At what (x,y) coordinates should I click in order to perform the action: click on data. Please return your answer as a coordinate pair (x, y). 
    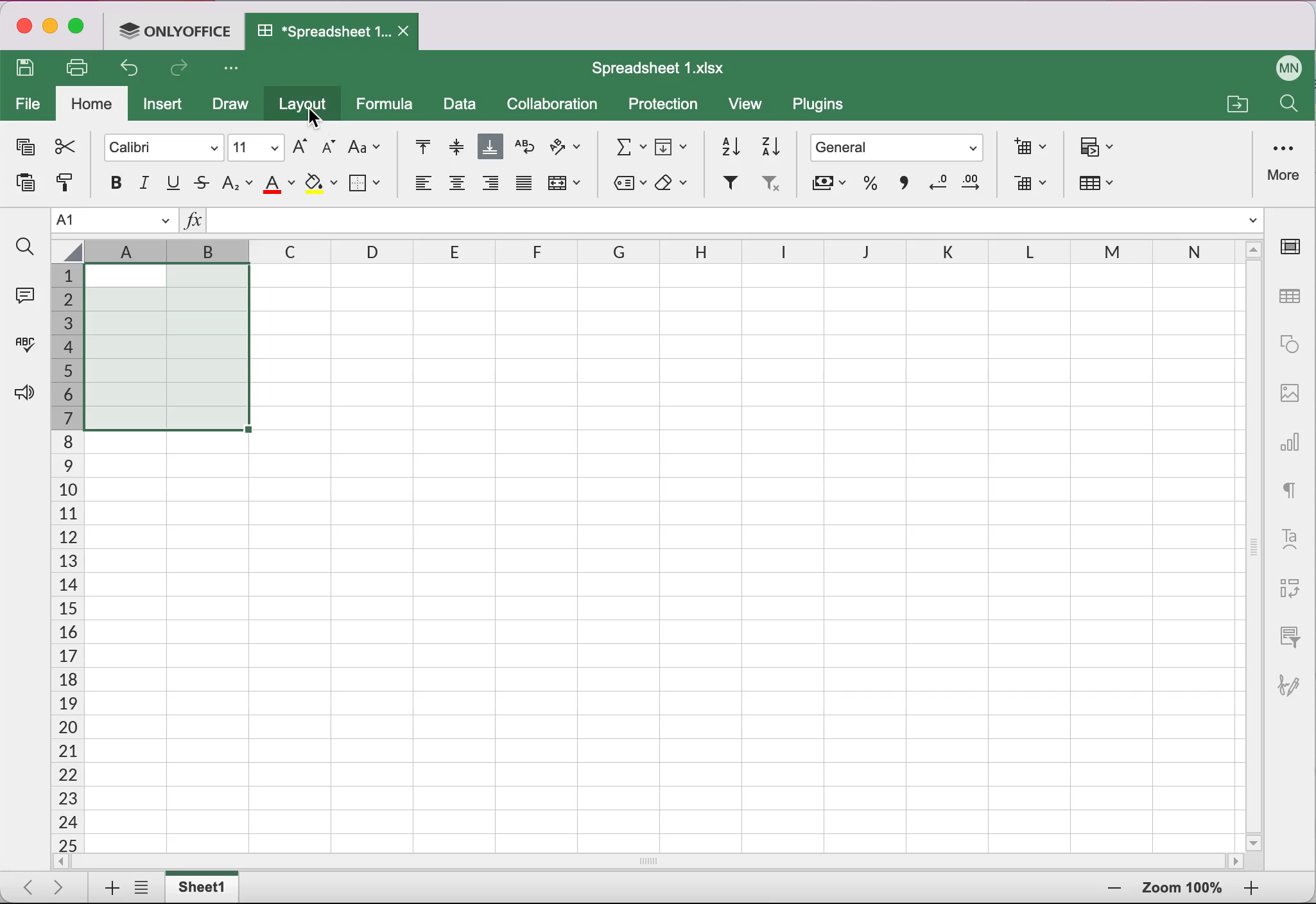
    Looking at the image, I should click on (461, 106).